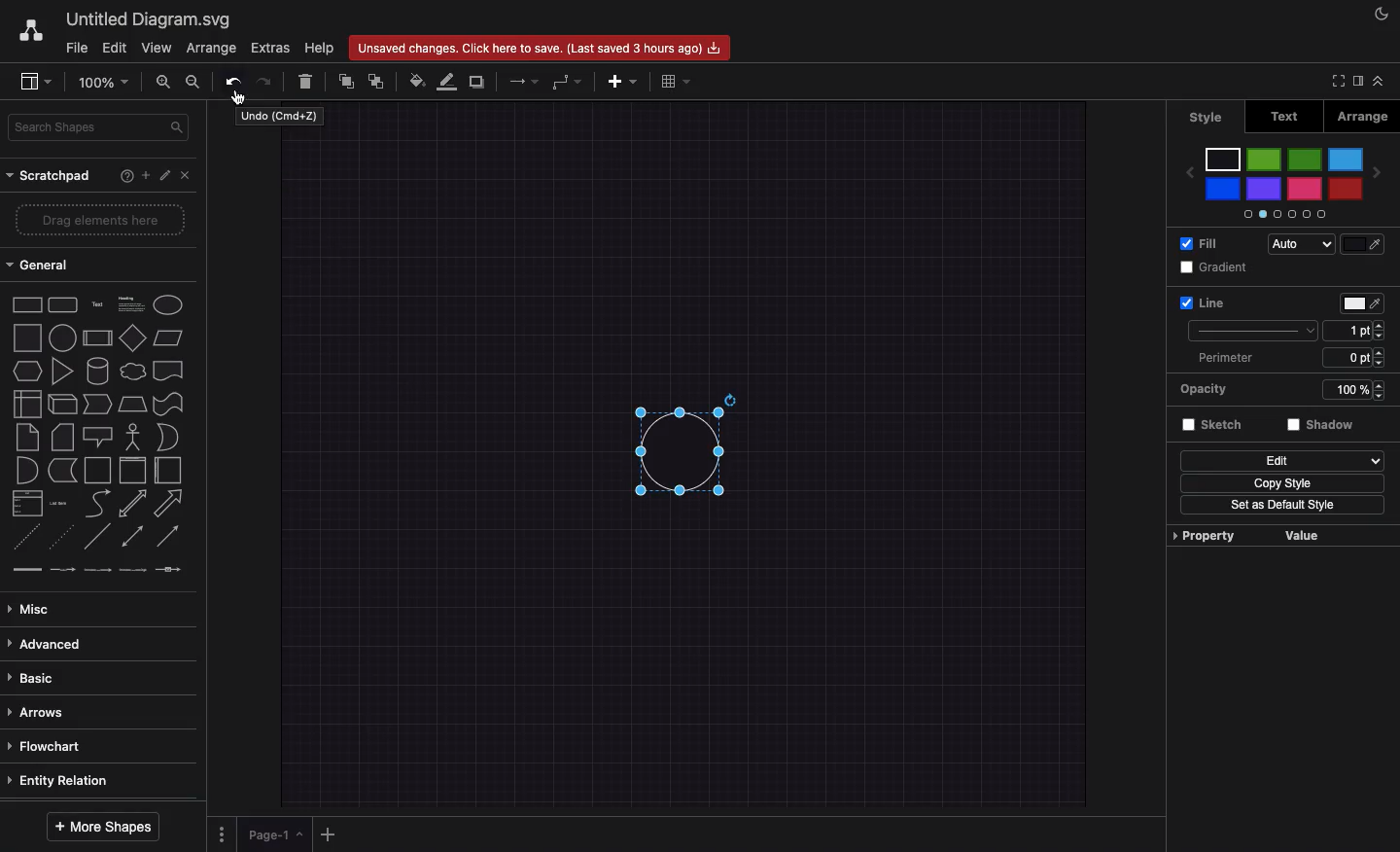  Describe the element at coordinates (32, 33) in the screenshot. I see `Draw.io` at that location.